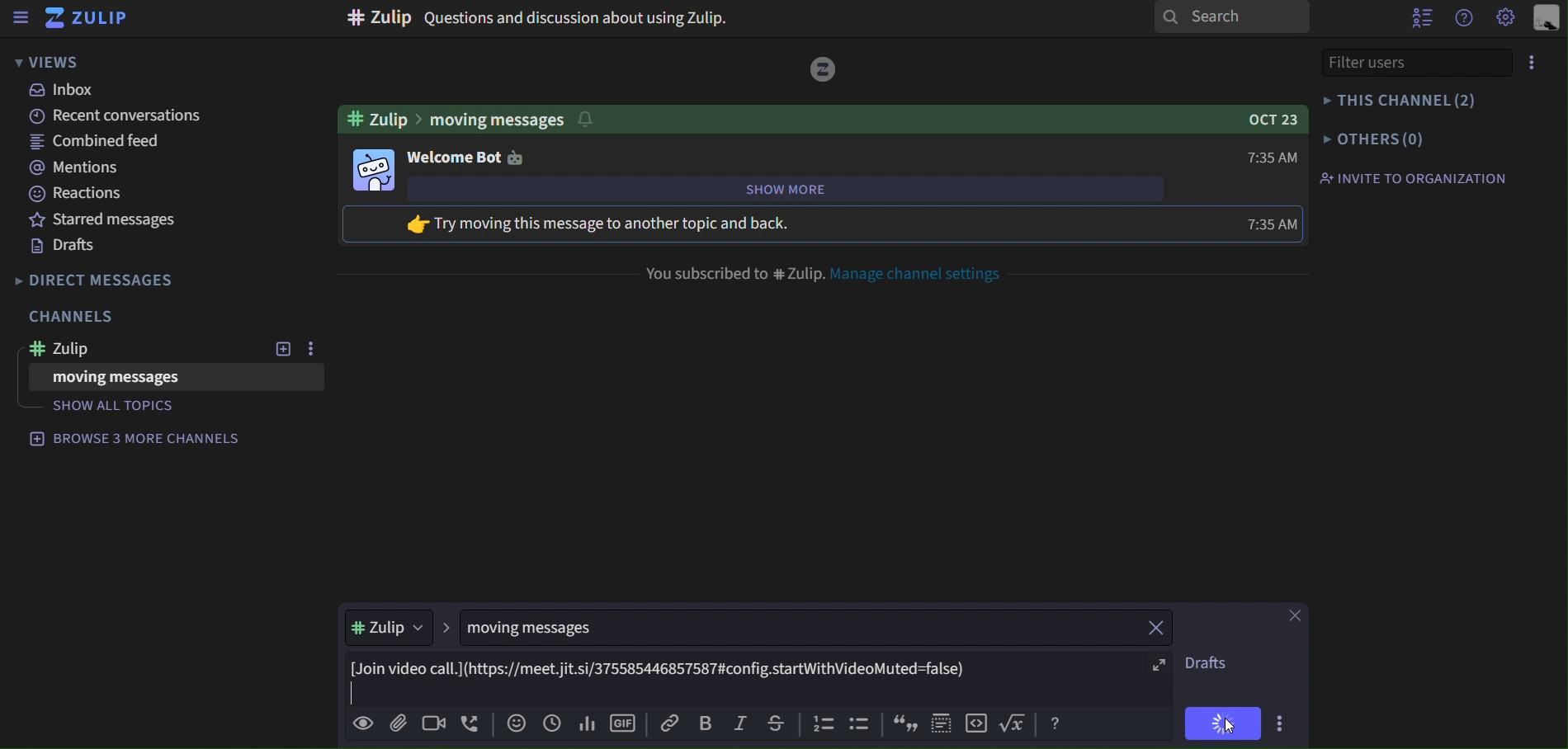 Image resolution: width=1568 pixels, height=749 pixels. Describe the element at coordinates (465, 156) in the screenshot. I see `welcome bot` at that location.